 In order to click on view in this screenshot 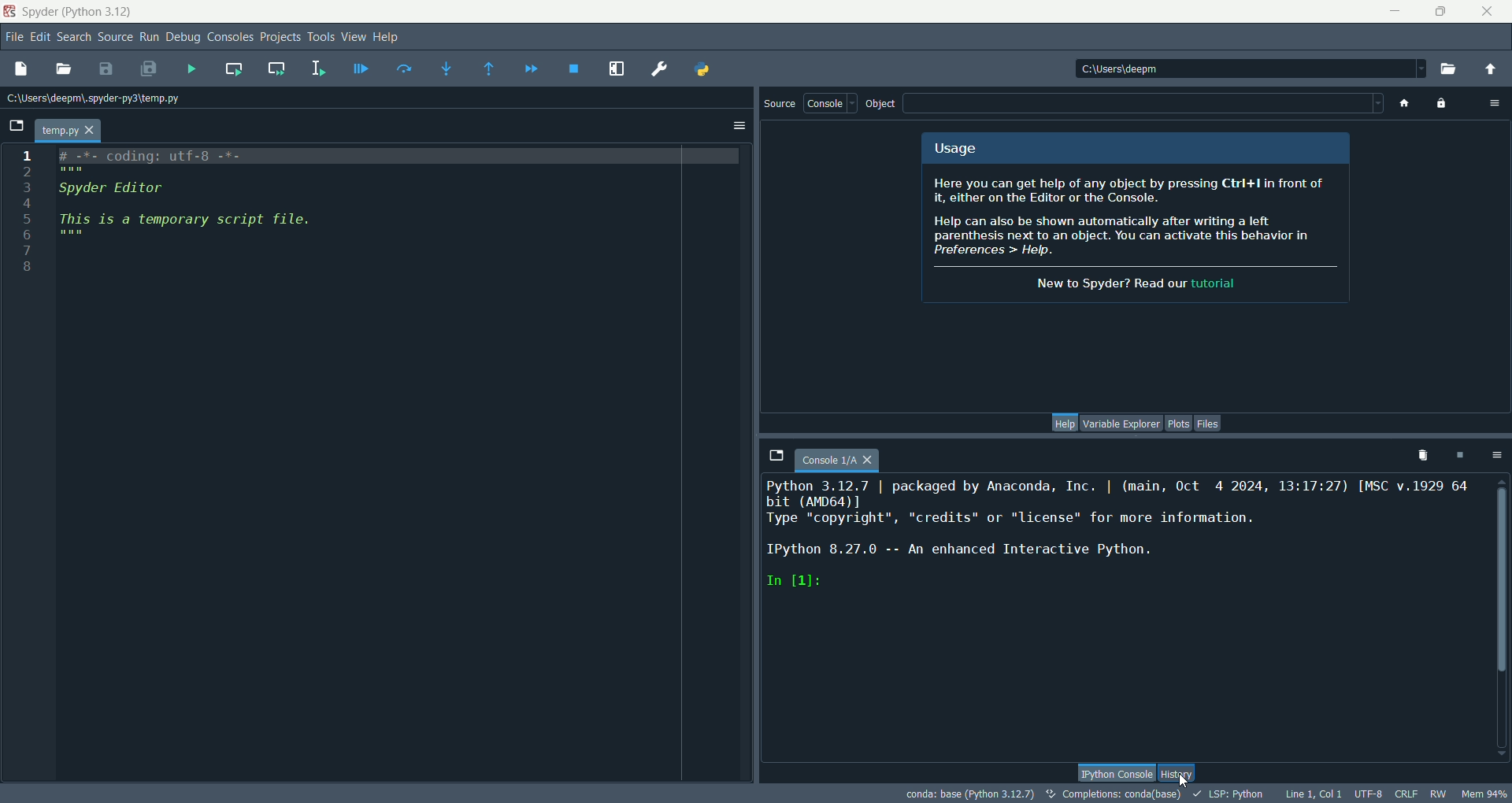, I will do `click(351, 37)`.